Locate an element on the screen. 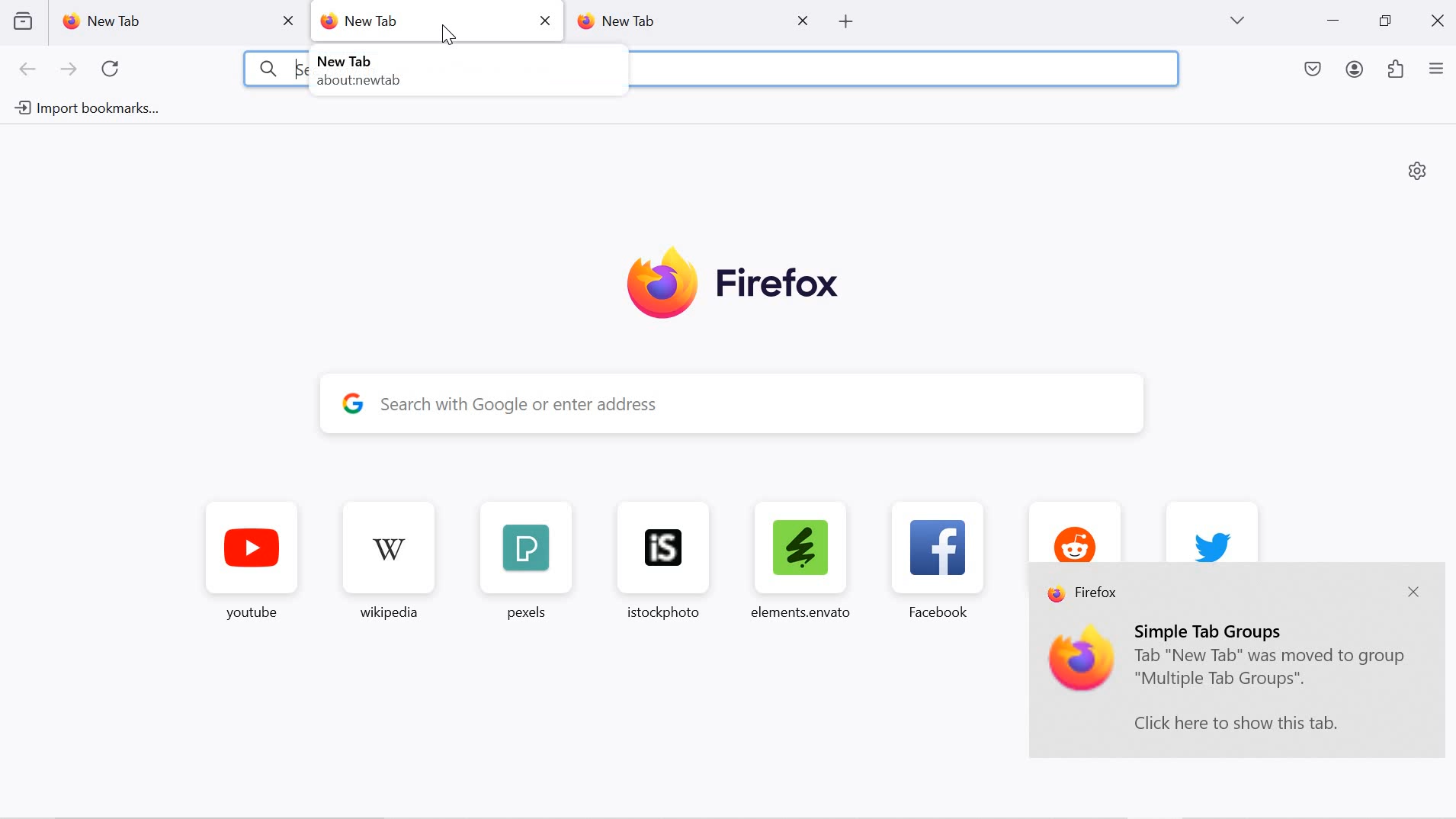 This screenshot has width=1456, height=819. 3 kearch with Google or enter address is located at coordinates (279, 69).